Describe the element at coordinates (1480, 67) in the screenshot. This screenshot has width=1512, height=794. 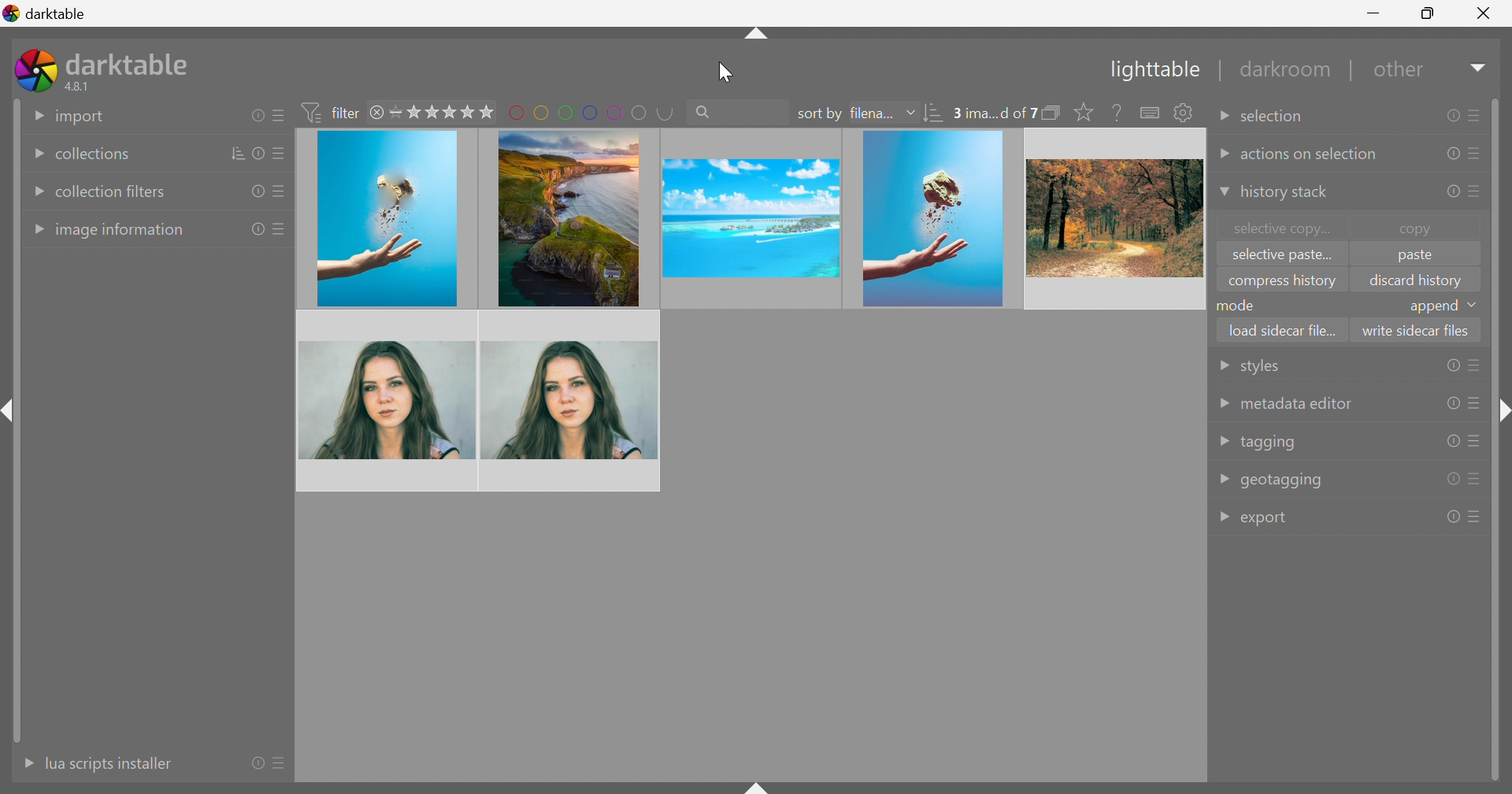
I see `Drop Down` at that location.